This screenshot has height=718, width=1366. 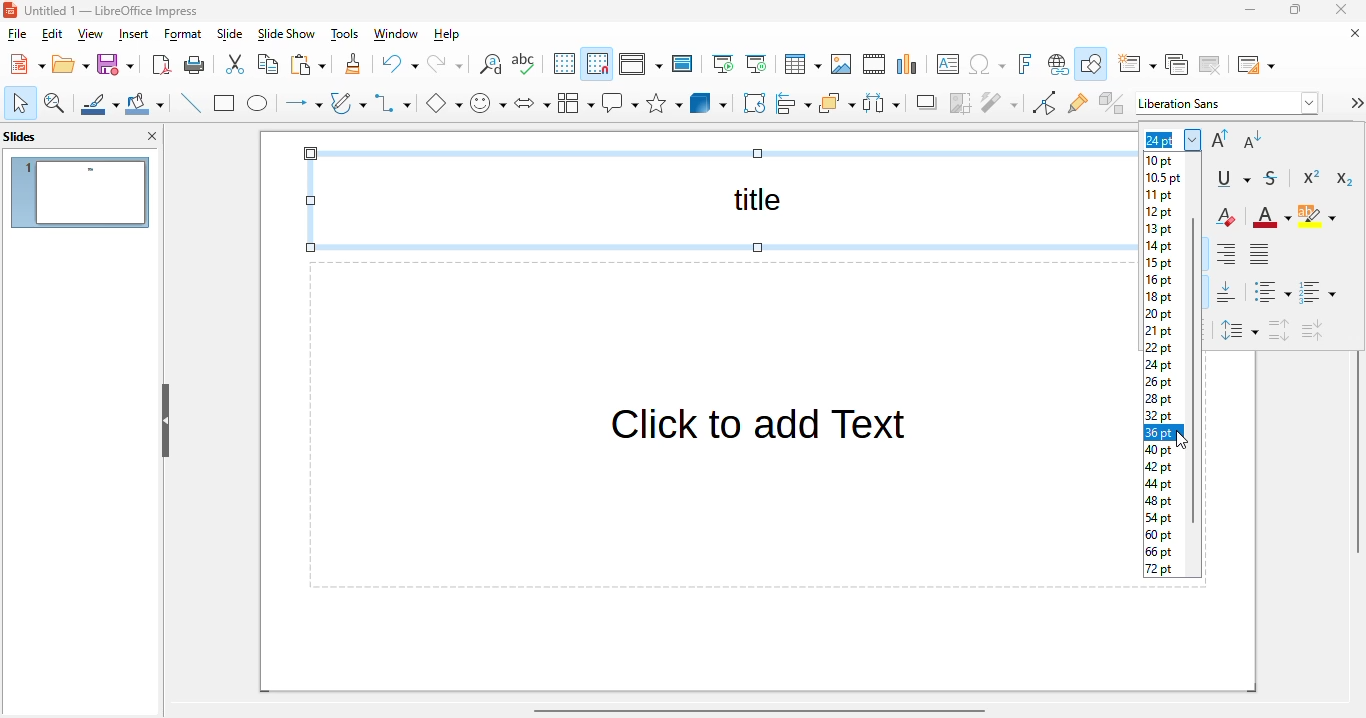 I want to click on rectangle, so click(x=225, y=103).